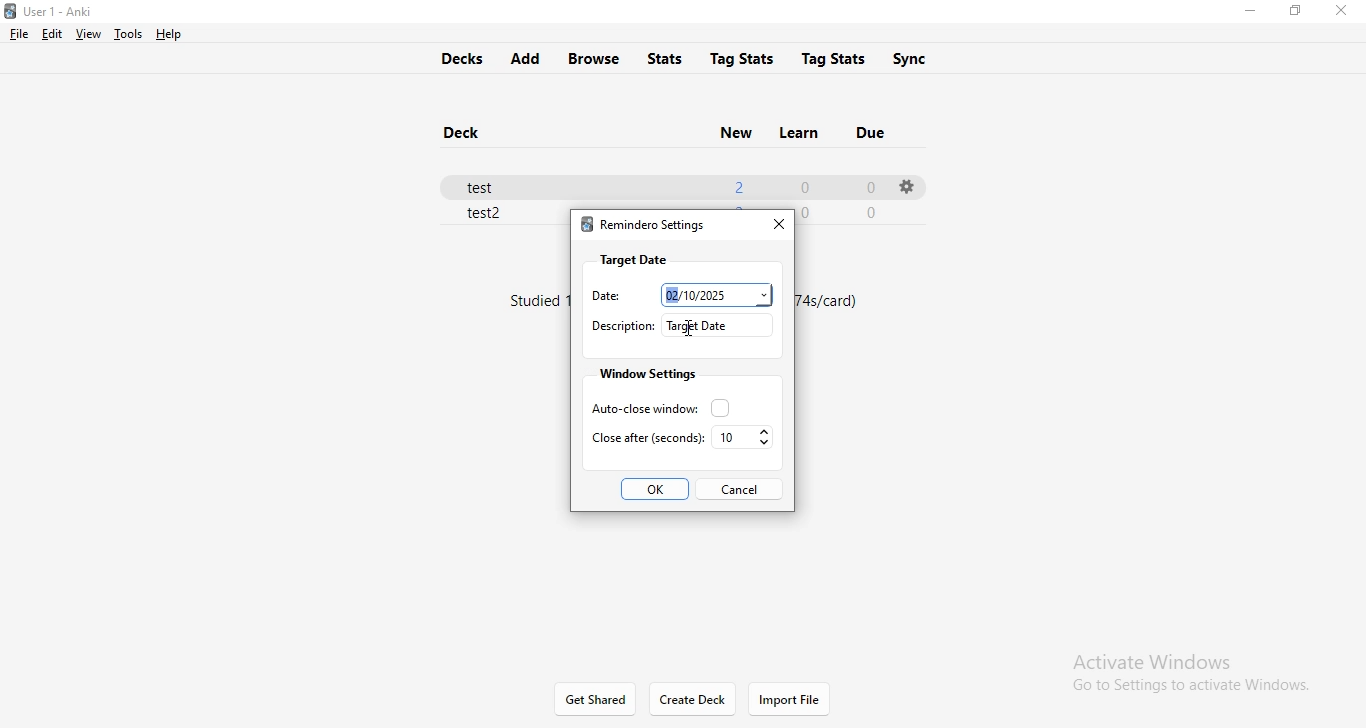 The width and height of the screenshot is (1366, 728). Describe the element at coordinates (534, 302) in the screenshot. I see `text` at that location.